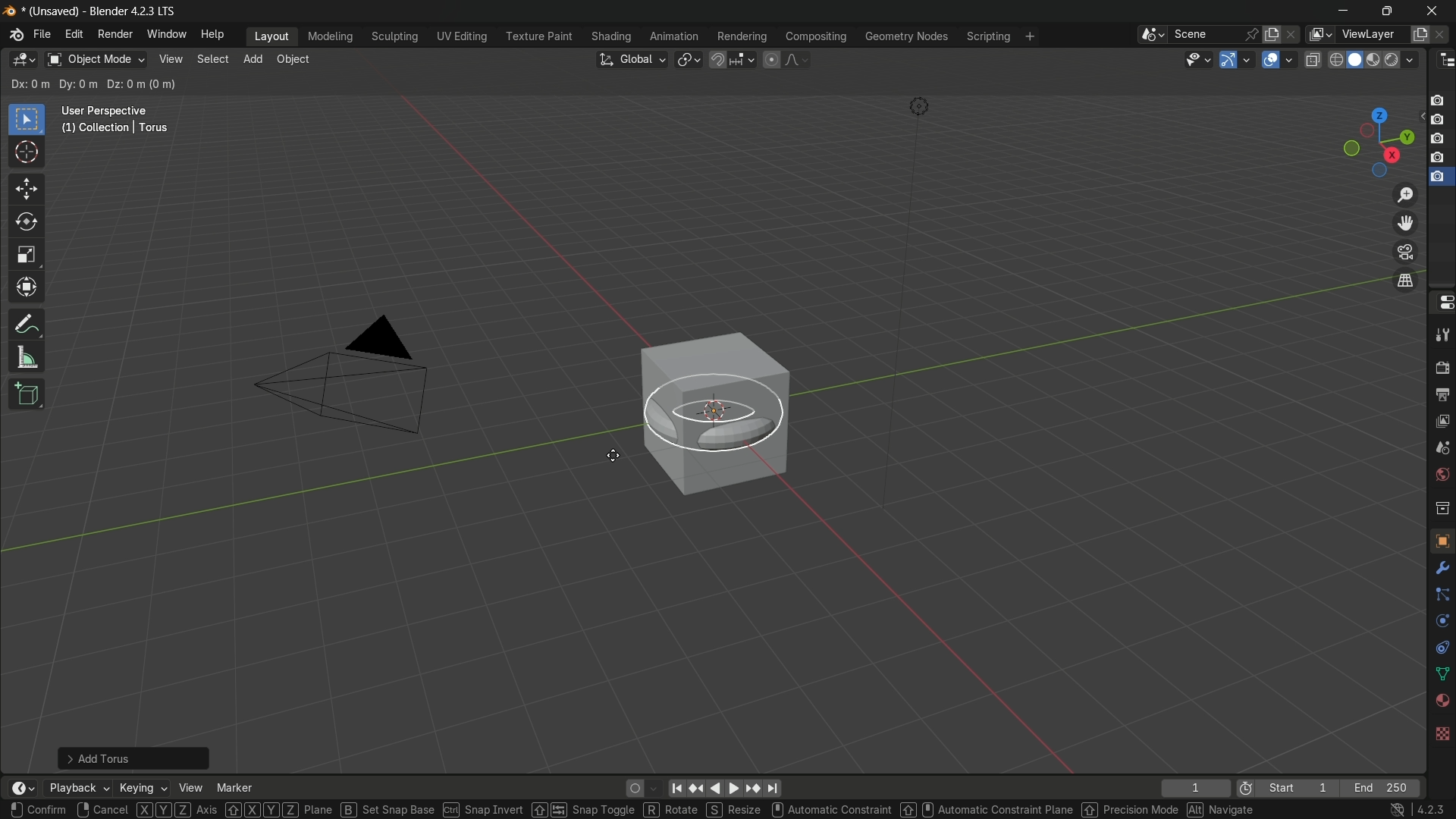  I want to click on switch the current view, so click(1404, 280).